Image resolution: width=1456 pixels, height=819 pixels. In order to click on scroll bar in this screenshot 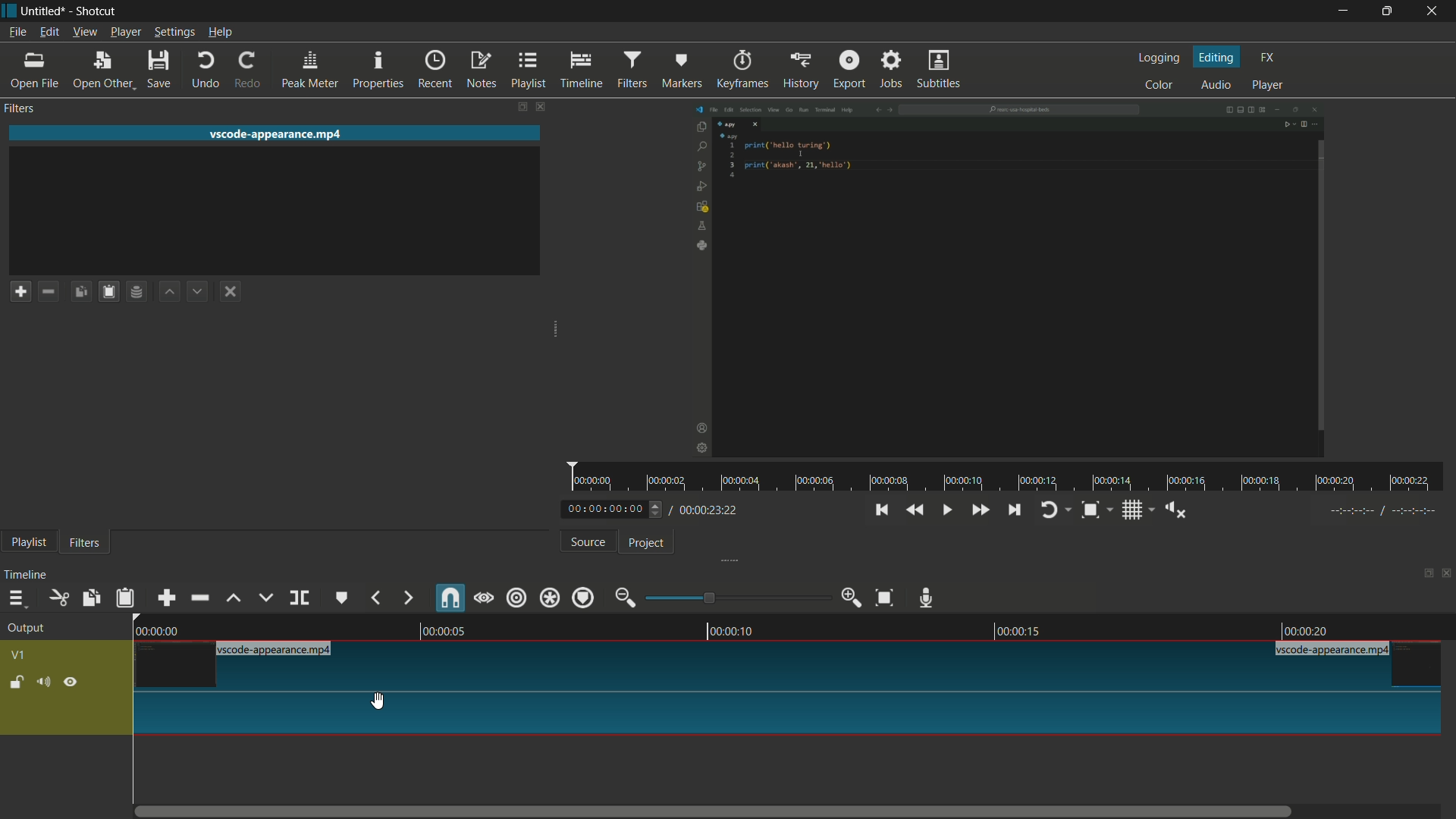, I will do `click(726, 811)`.